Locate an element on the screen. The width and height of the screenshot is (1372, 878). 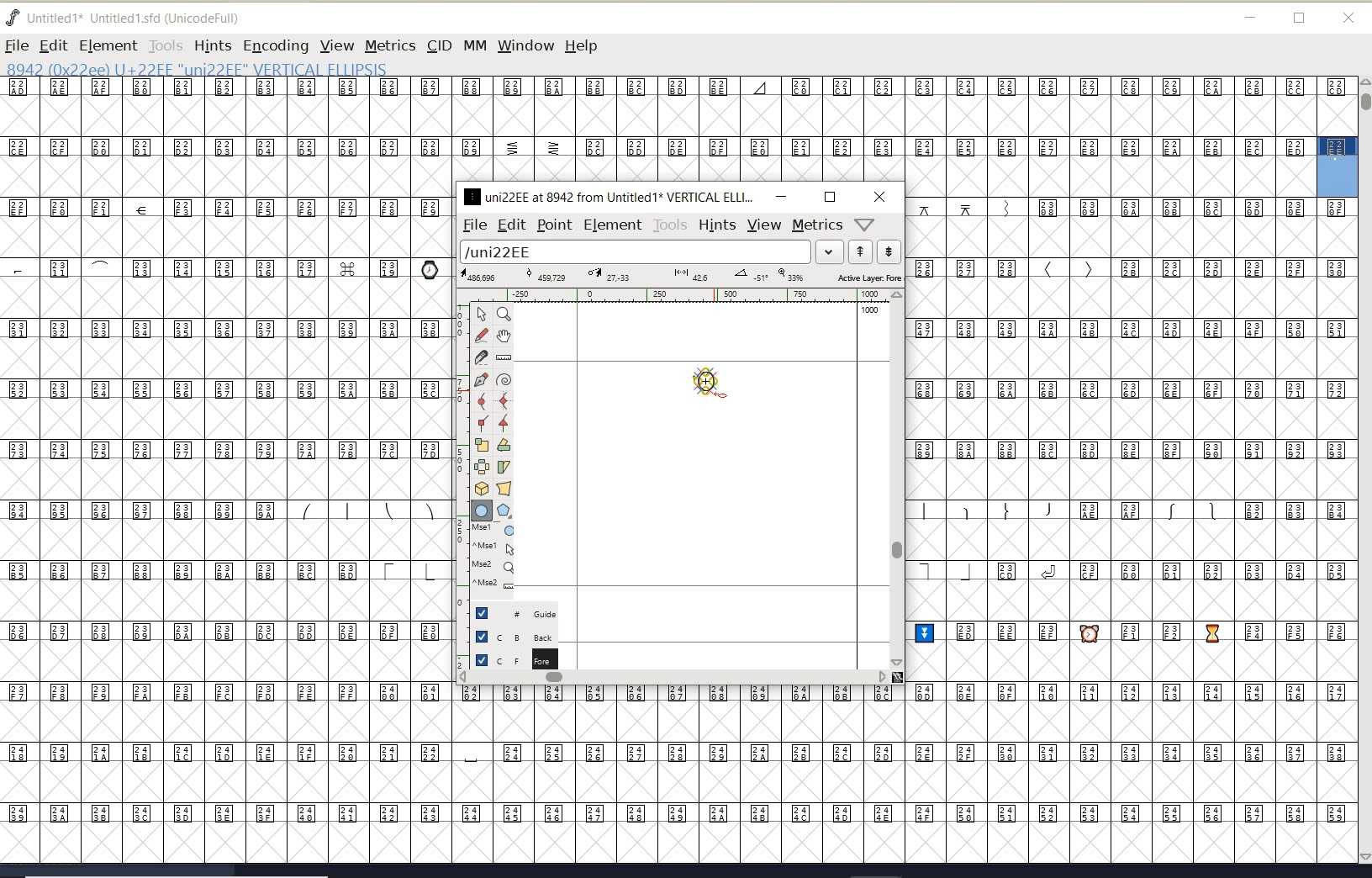
restore is located at coordinates (830, 197).